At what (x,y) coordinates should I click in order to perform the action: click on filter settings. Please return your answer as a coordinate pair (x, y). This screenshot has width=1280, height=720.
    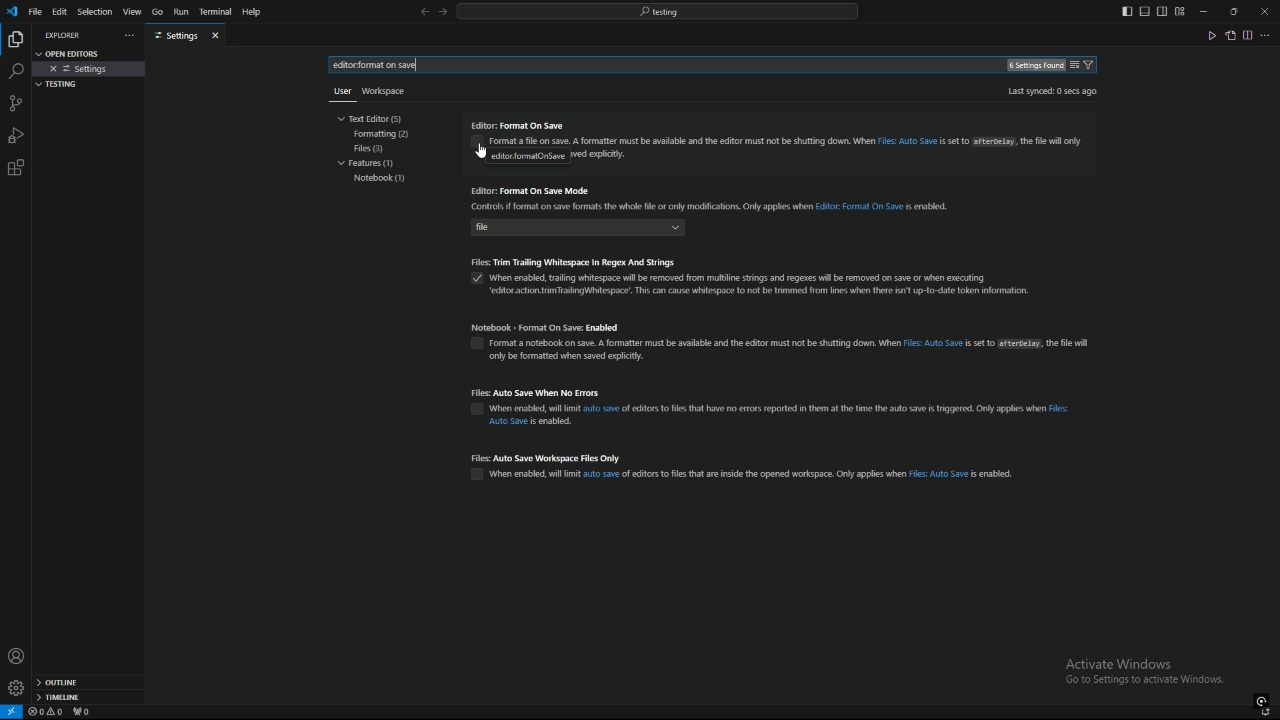
    Looking at the image, I should click on (1092, 65).